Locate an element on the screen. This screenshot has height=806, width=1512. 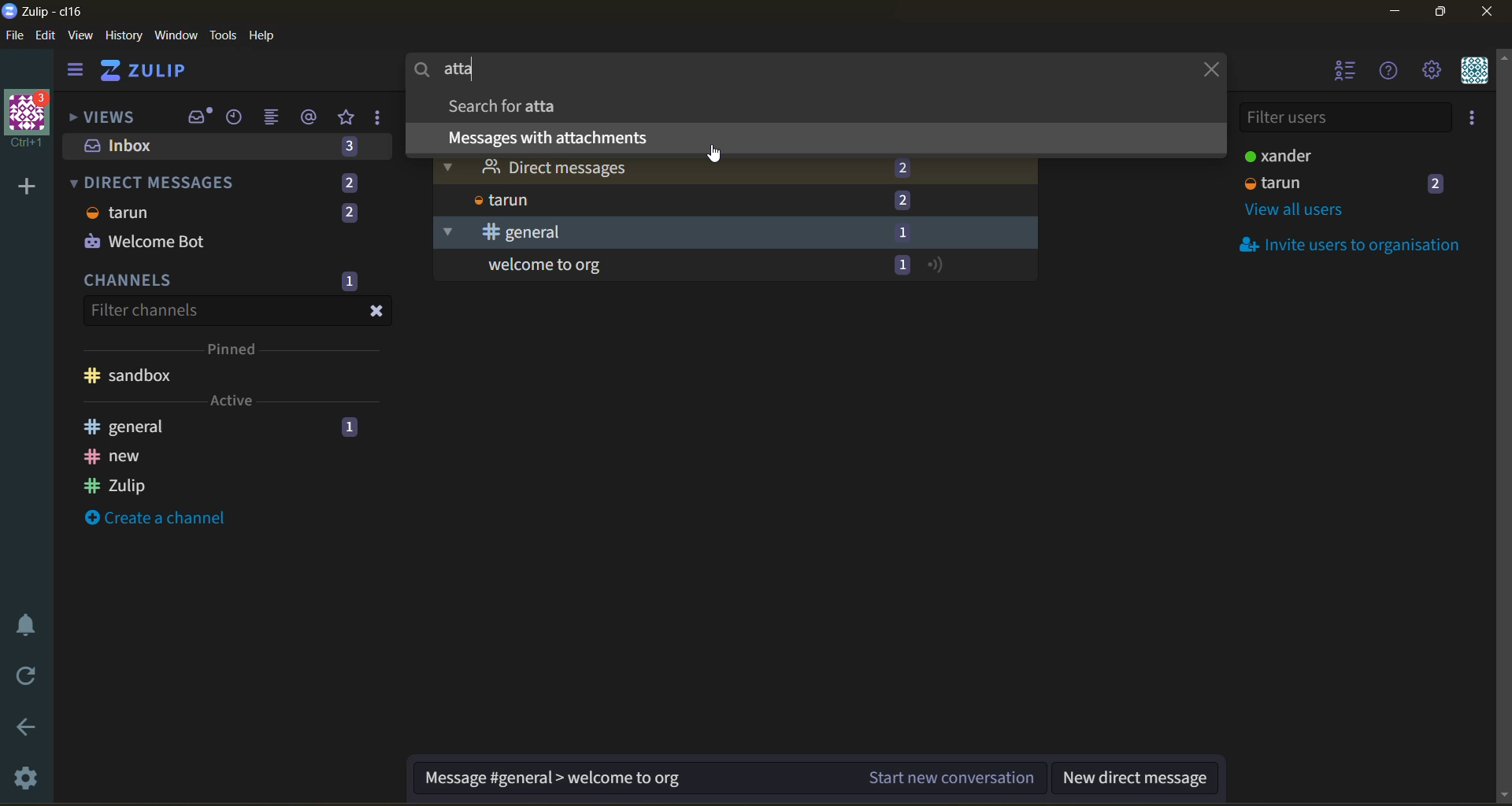
Messages with attachments is located at coordinates (546, 137).